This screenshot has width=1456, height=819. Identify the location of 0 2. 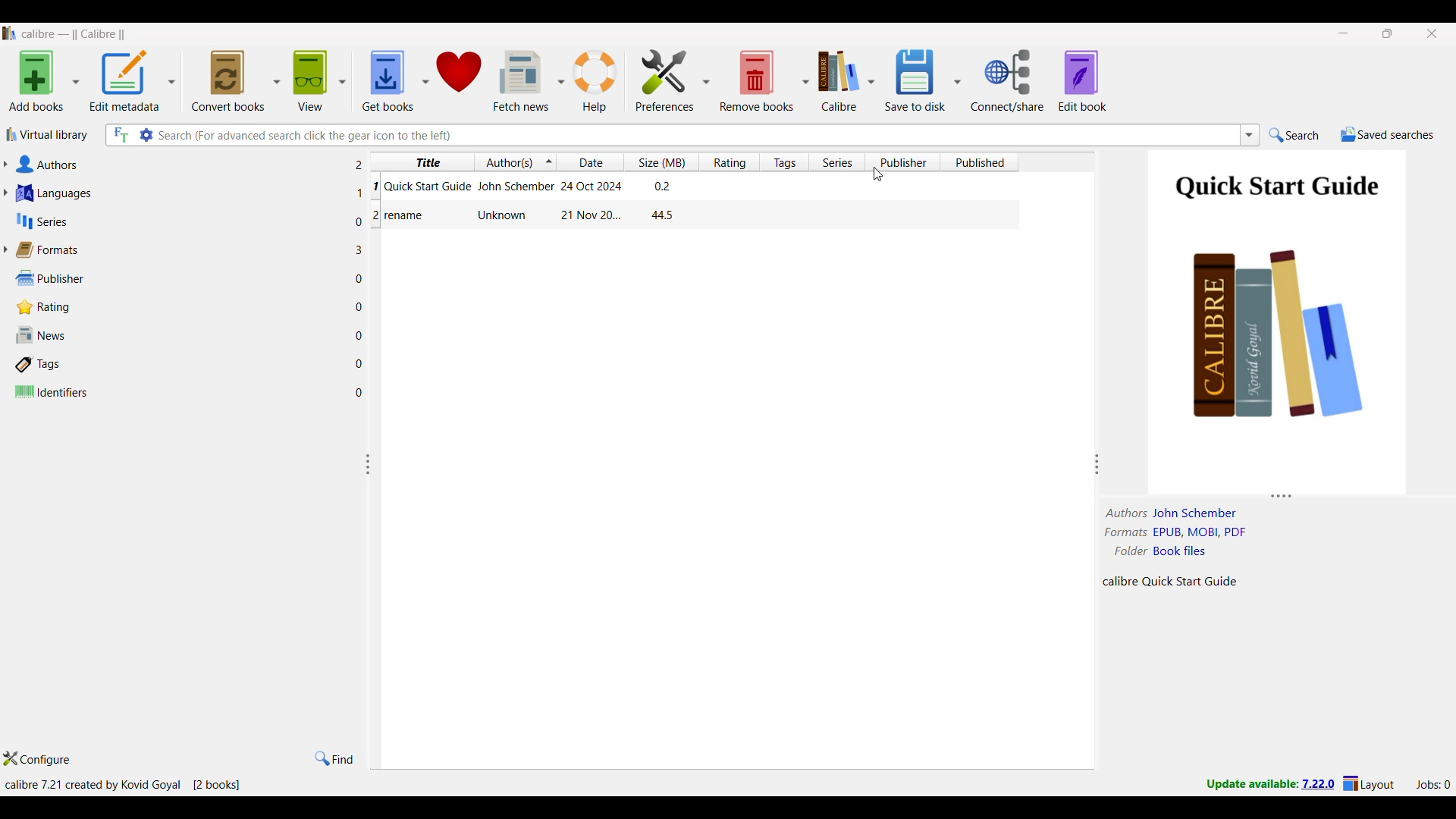
(368, 220).